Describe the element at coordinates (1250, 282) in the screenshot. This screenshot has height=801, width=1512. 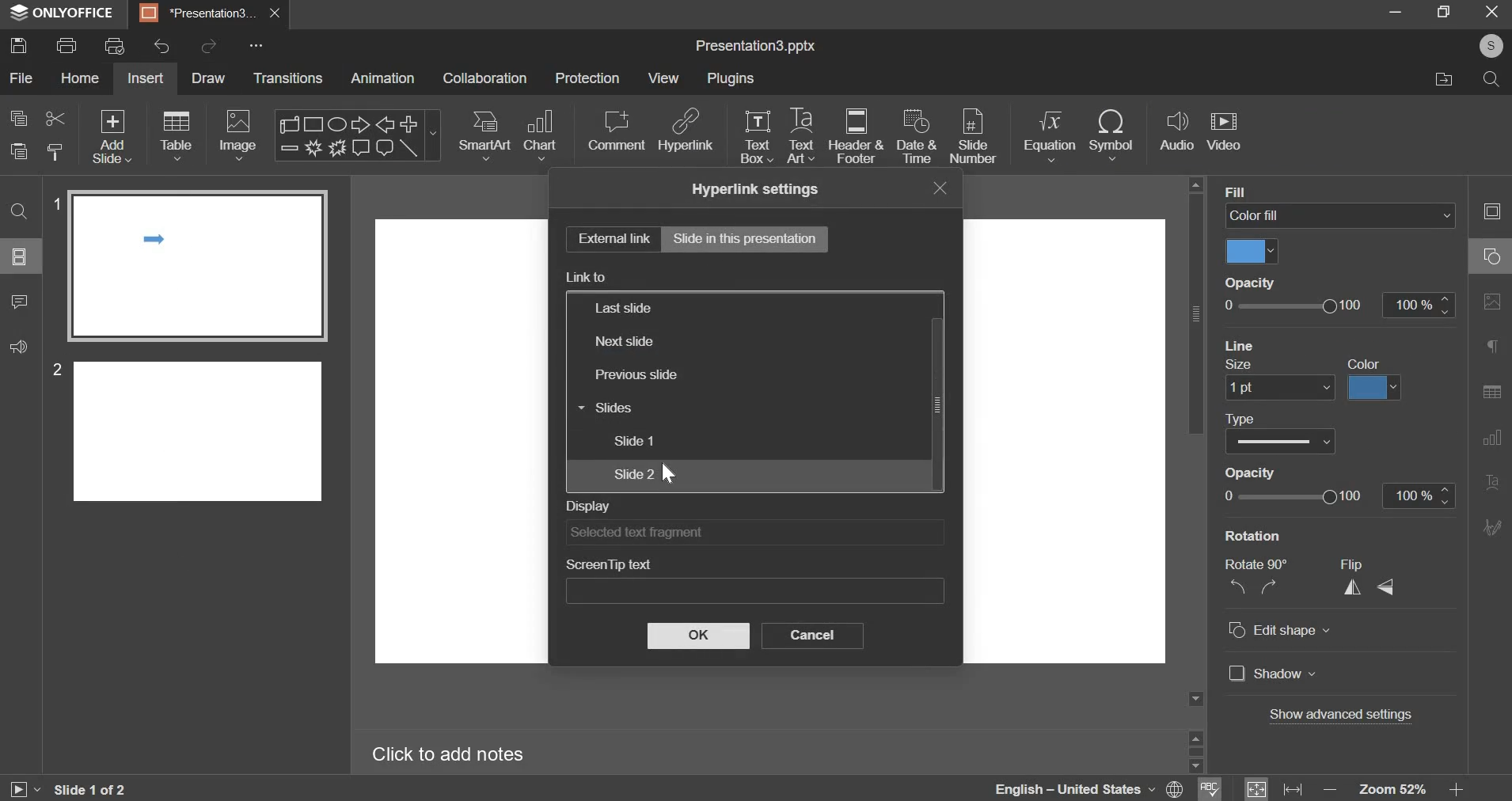
I see `Opacity` at that location.